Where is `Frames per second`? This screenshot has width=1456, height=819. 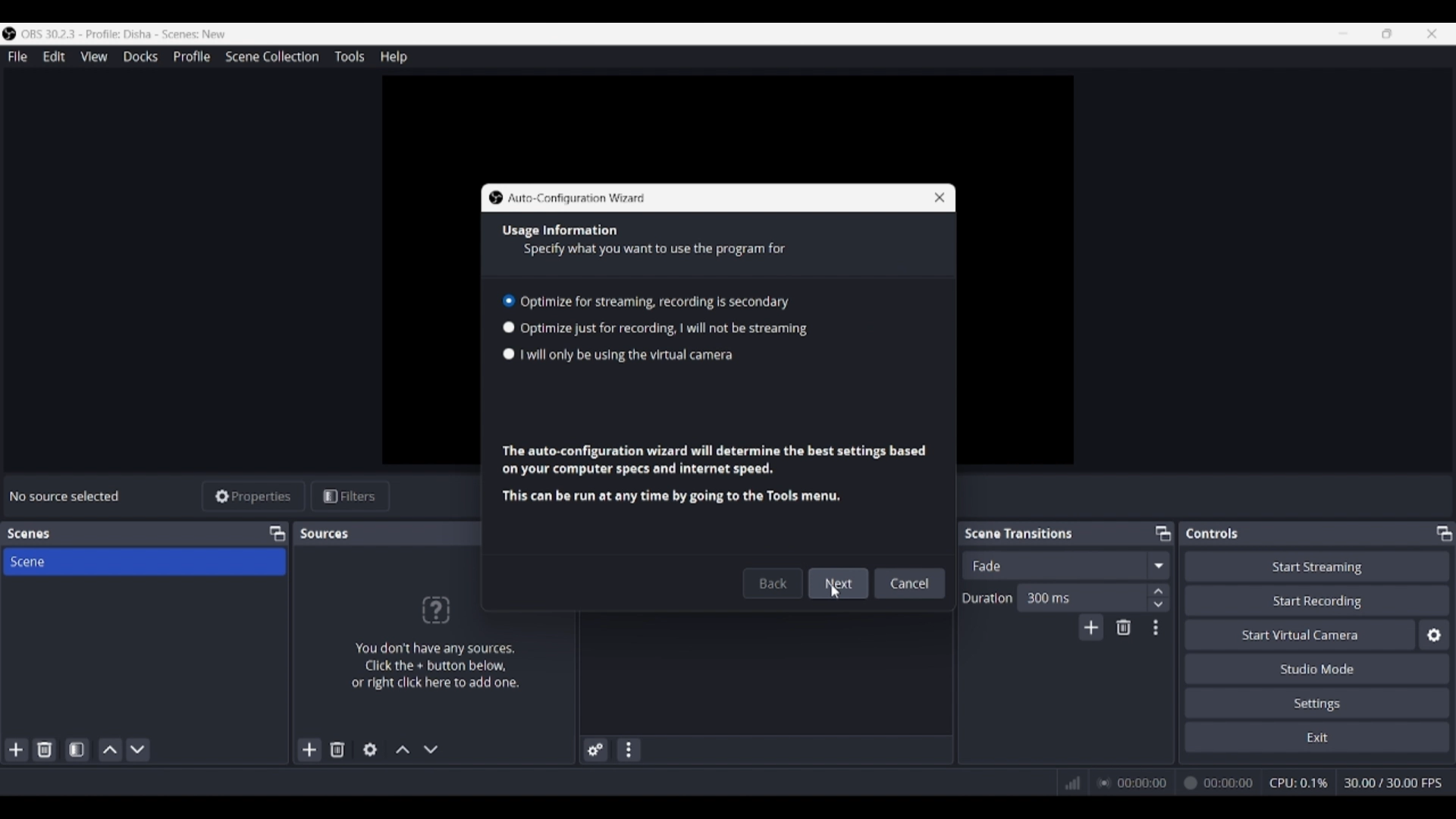
Frames per second is located at coordinates (1393, 783).